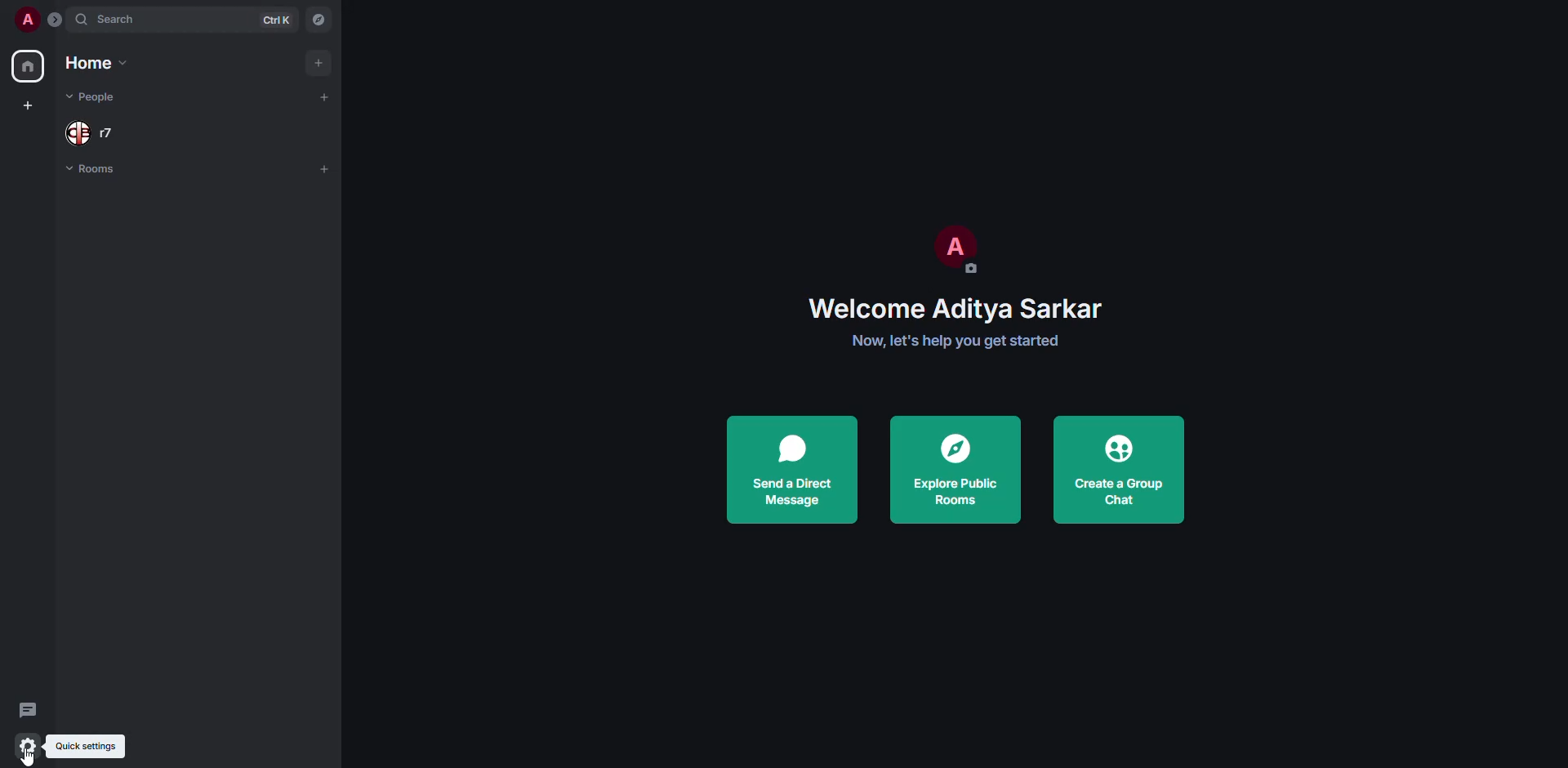  I want to click on rooms, so click(109, 169).